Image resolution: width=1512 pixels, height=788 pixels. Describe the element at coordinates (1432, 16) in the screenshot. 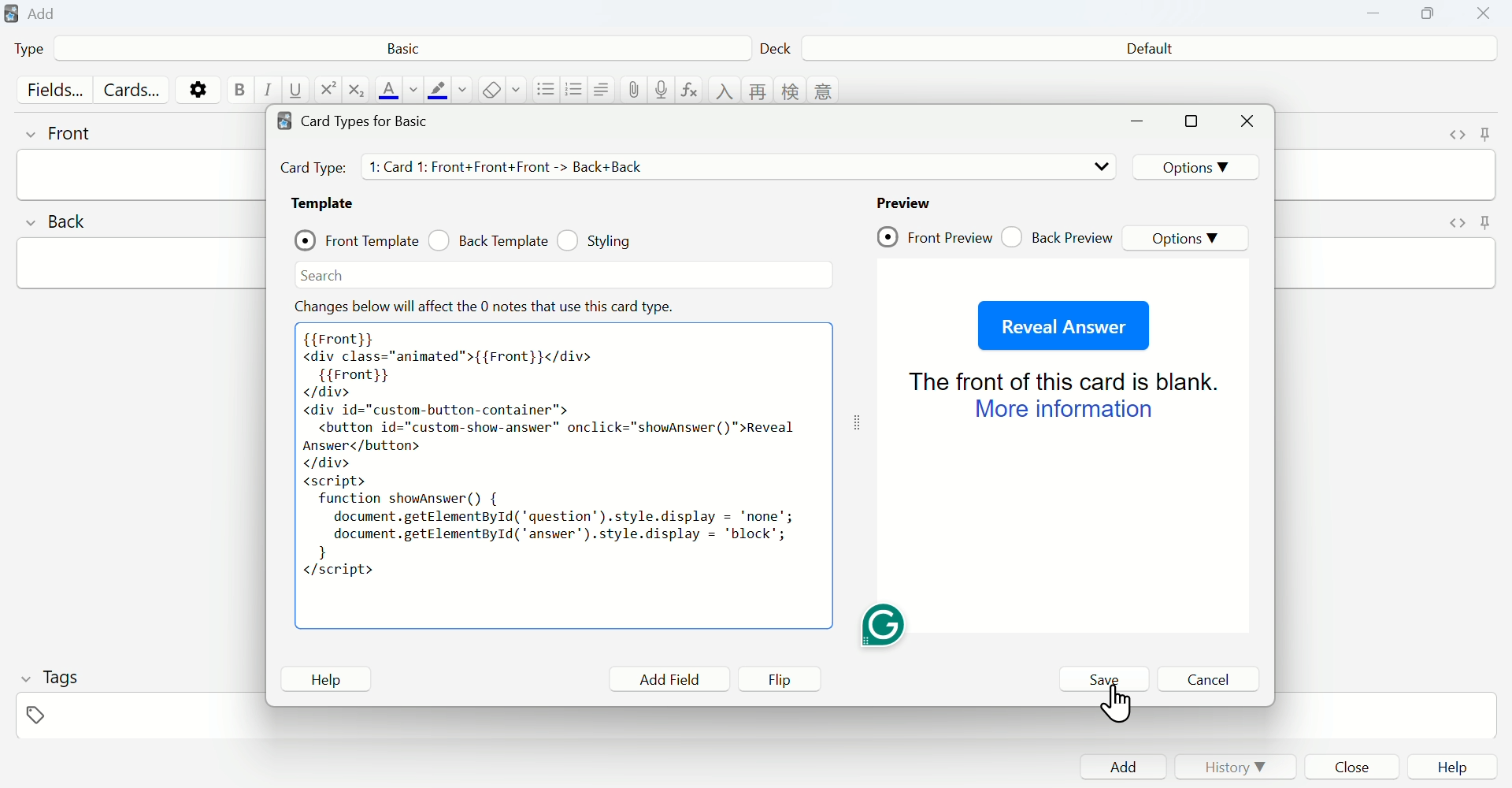

I see `Copy` at that location.